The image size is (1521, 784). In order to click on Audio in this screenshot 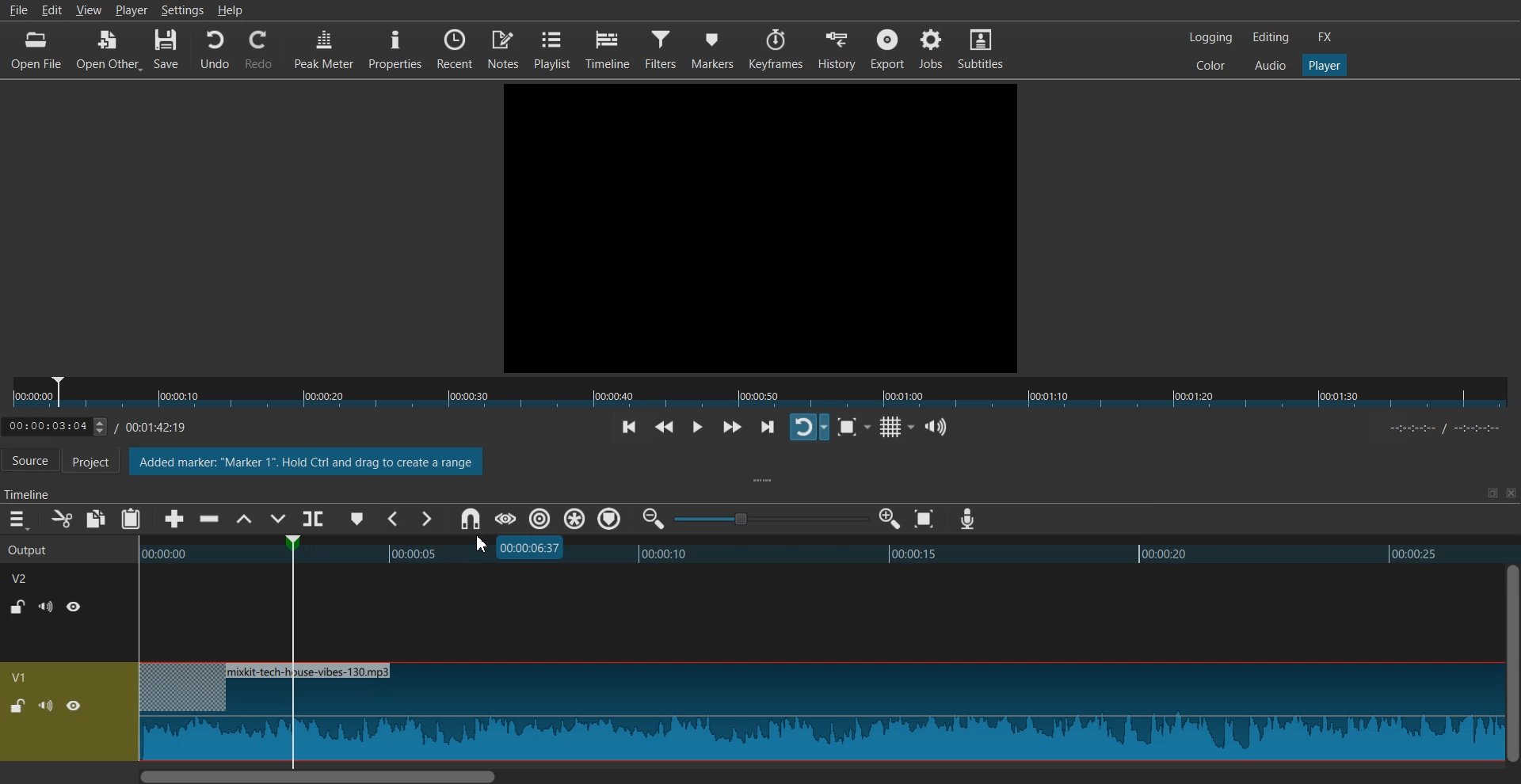, I will do `click(1270, 64)`.